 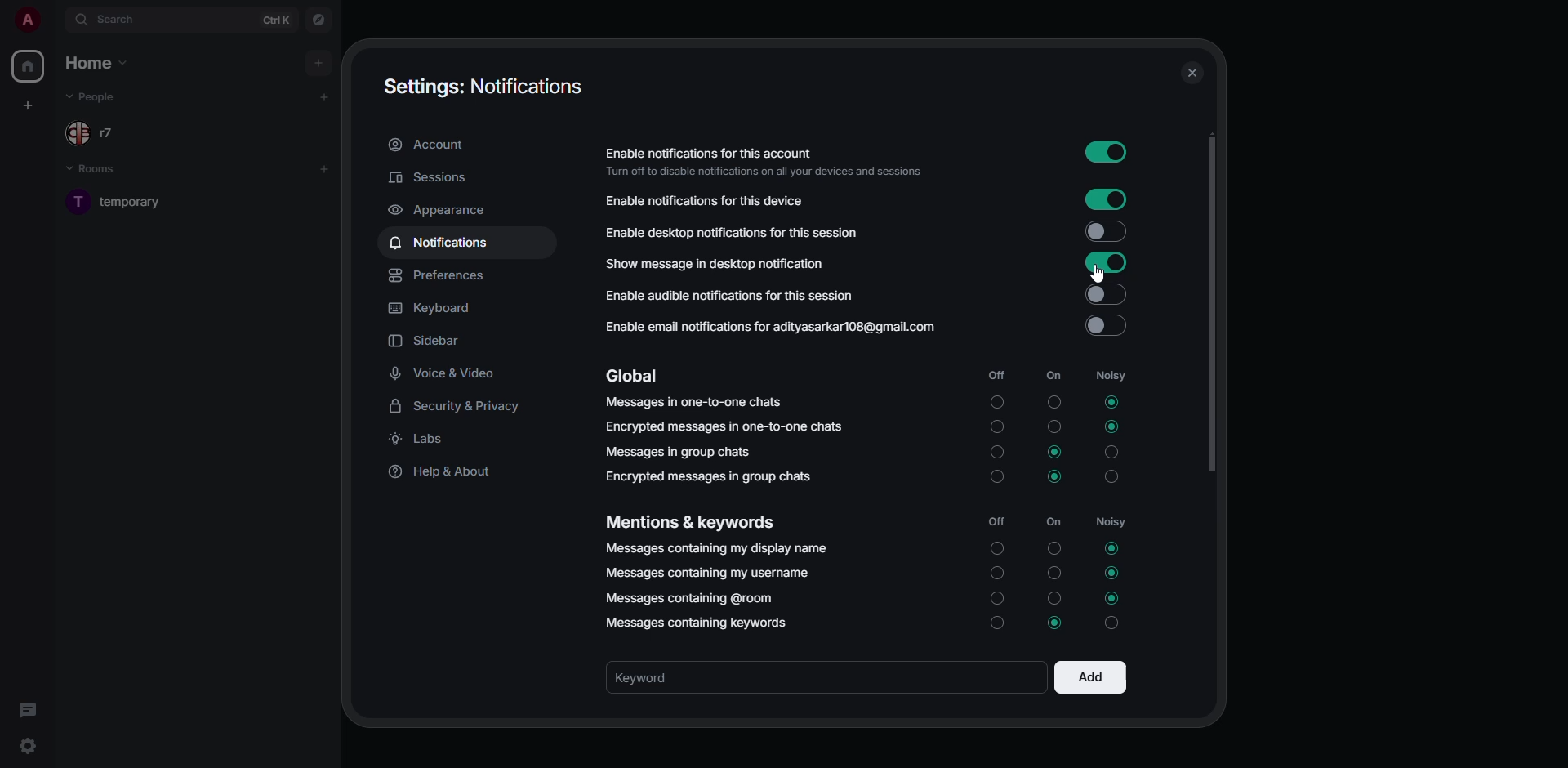 I want to click on Off Unselected, so click(x=999, y=453).